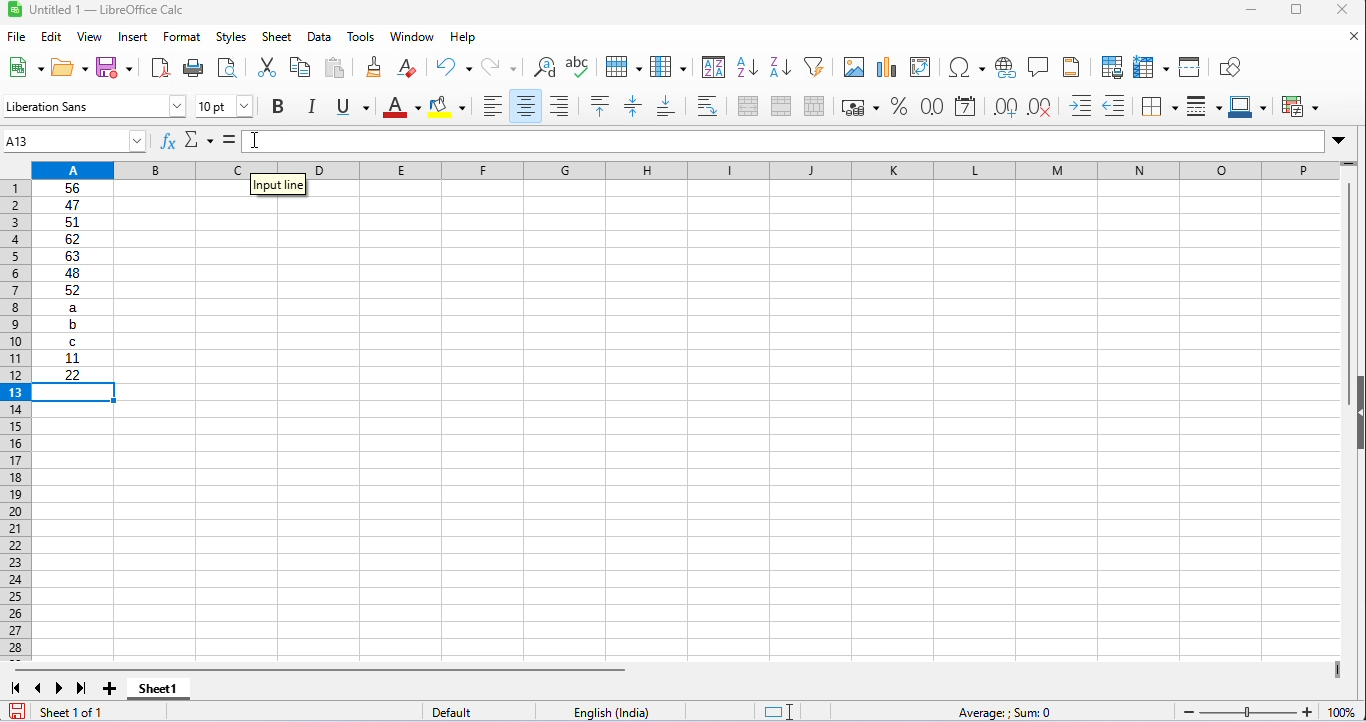 This screenshot has height=722, width=1366. Describe the element at coordinates (580, 67) in the screenshot. I see `spelling` at that location.